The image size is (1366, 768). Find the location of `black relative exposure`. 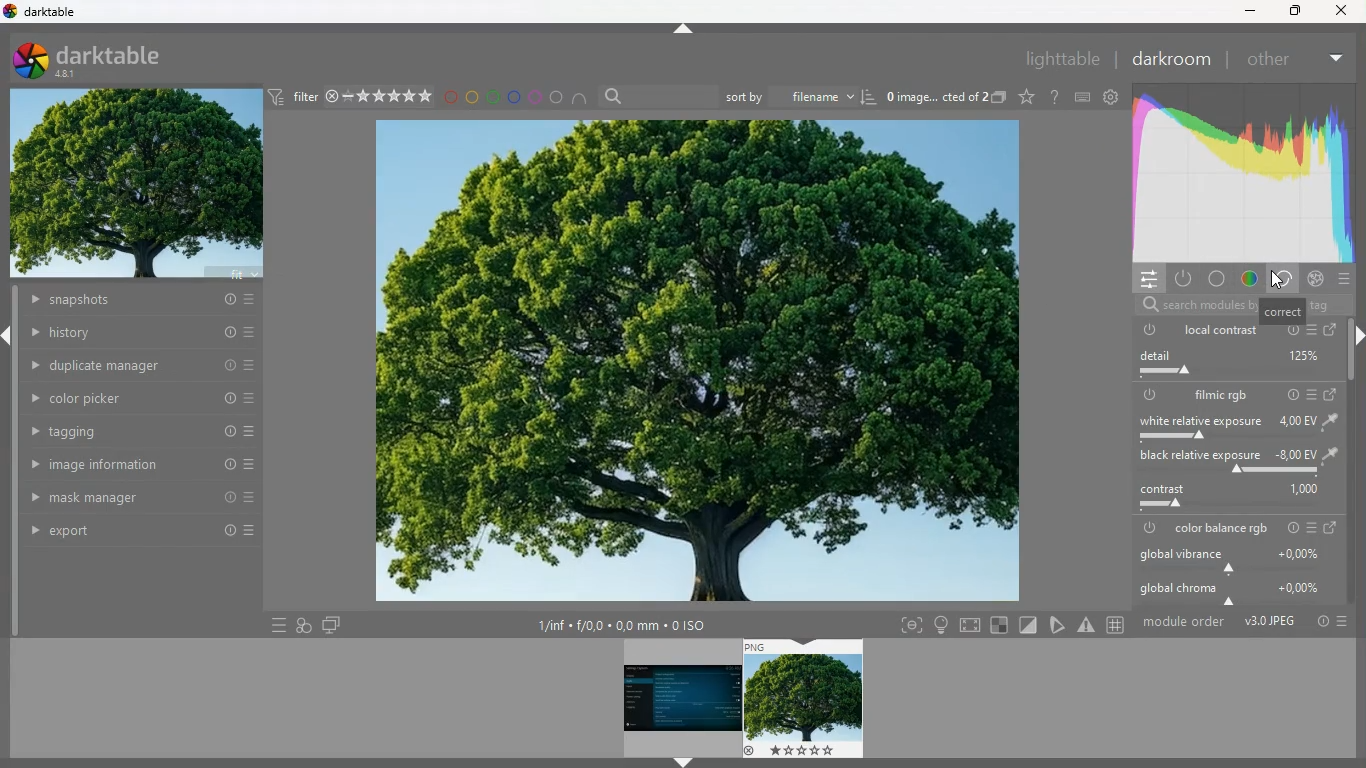

black relative exposure is located at coordinates (1238, 461).